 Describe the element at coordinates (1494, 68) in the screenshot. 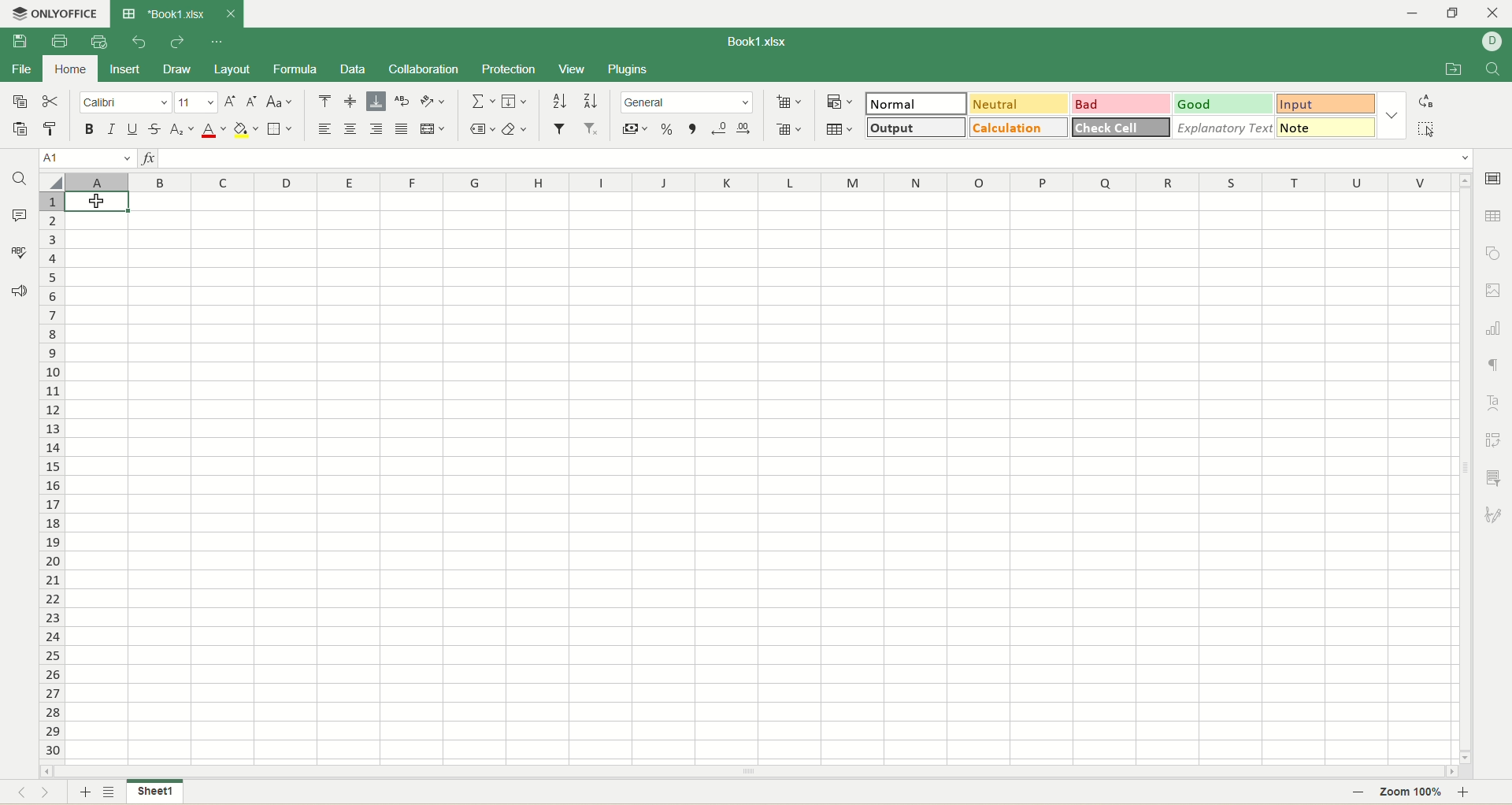

I see `find` at that location.